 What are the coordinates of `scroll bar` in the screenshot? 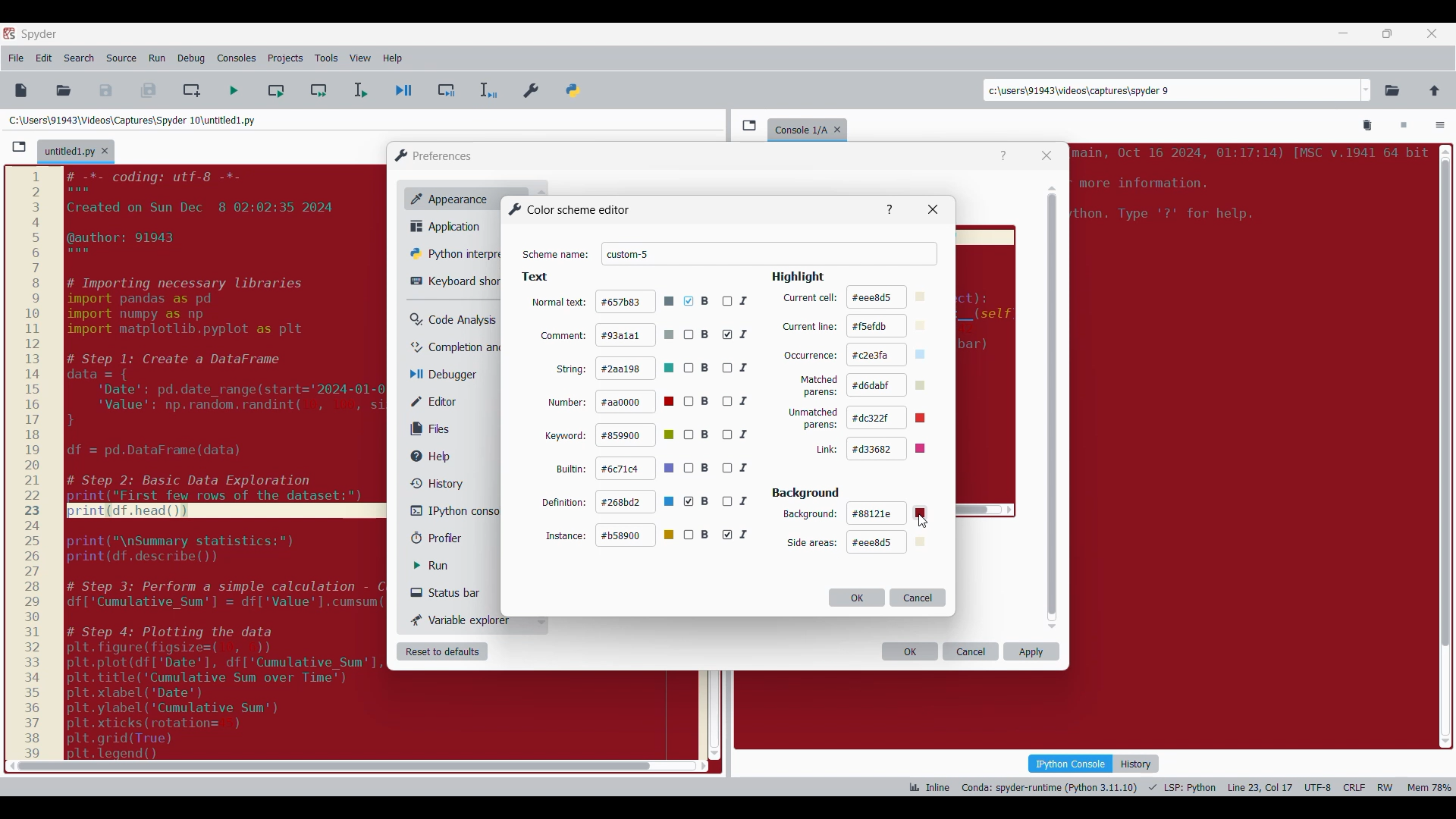 It's located at (1443, 442).